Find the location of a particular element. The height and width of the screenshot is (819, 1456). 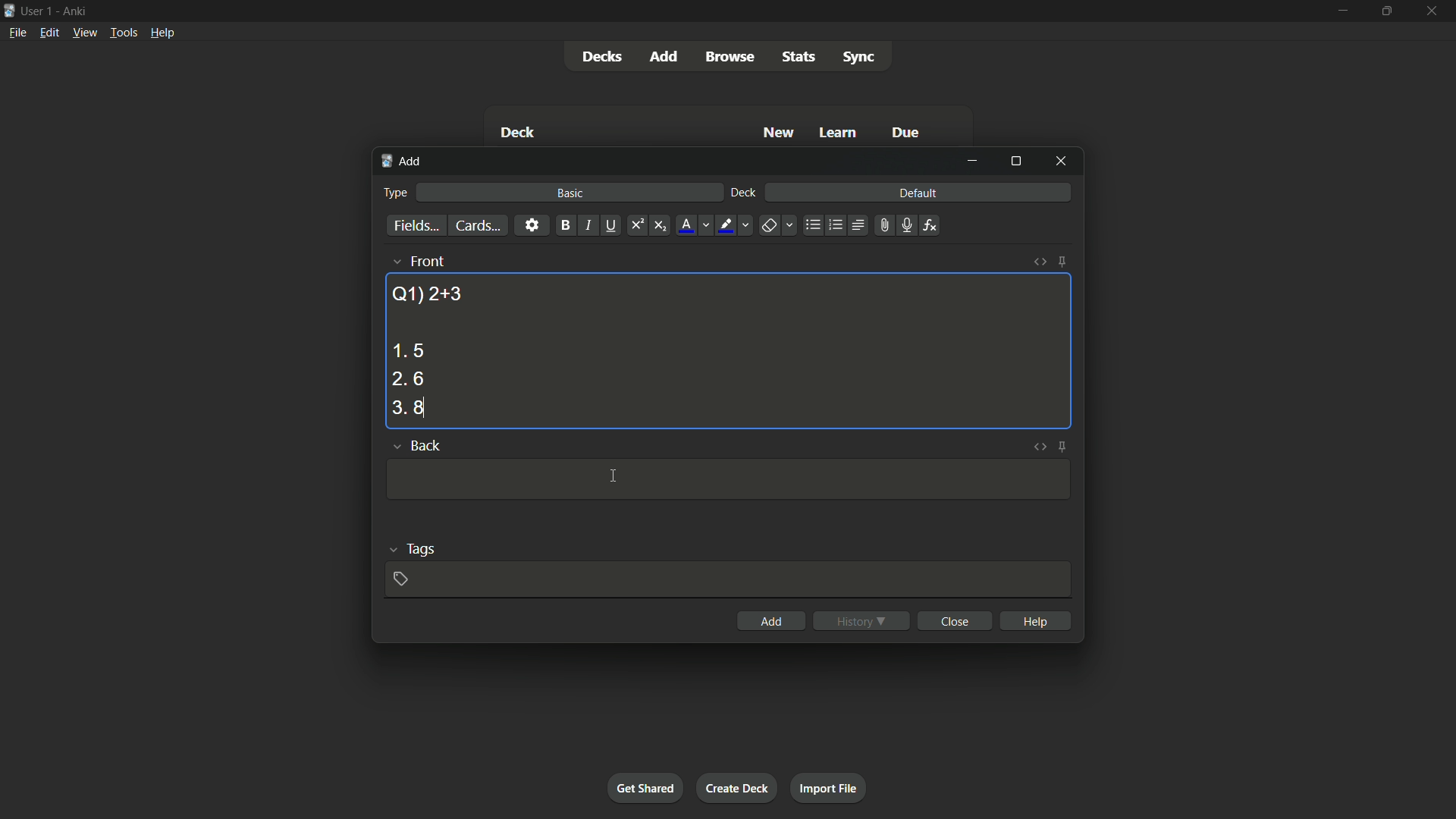

deck is located at coordinates (517, 134).